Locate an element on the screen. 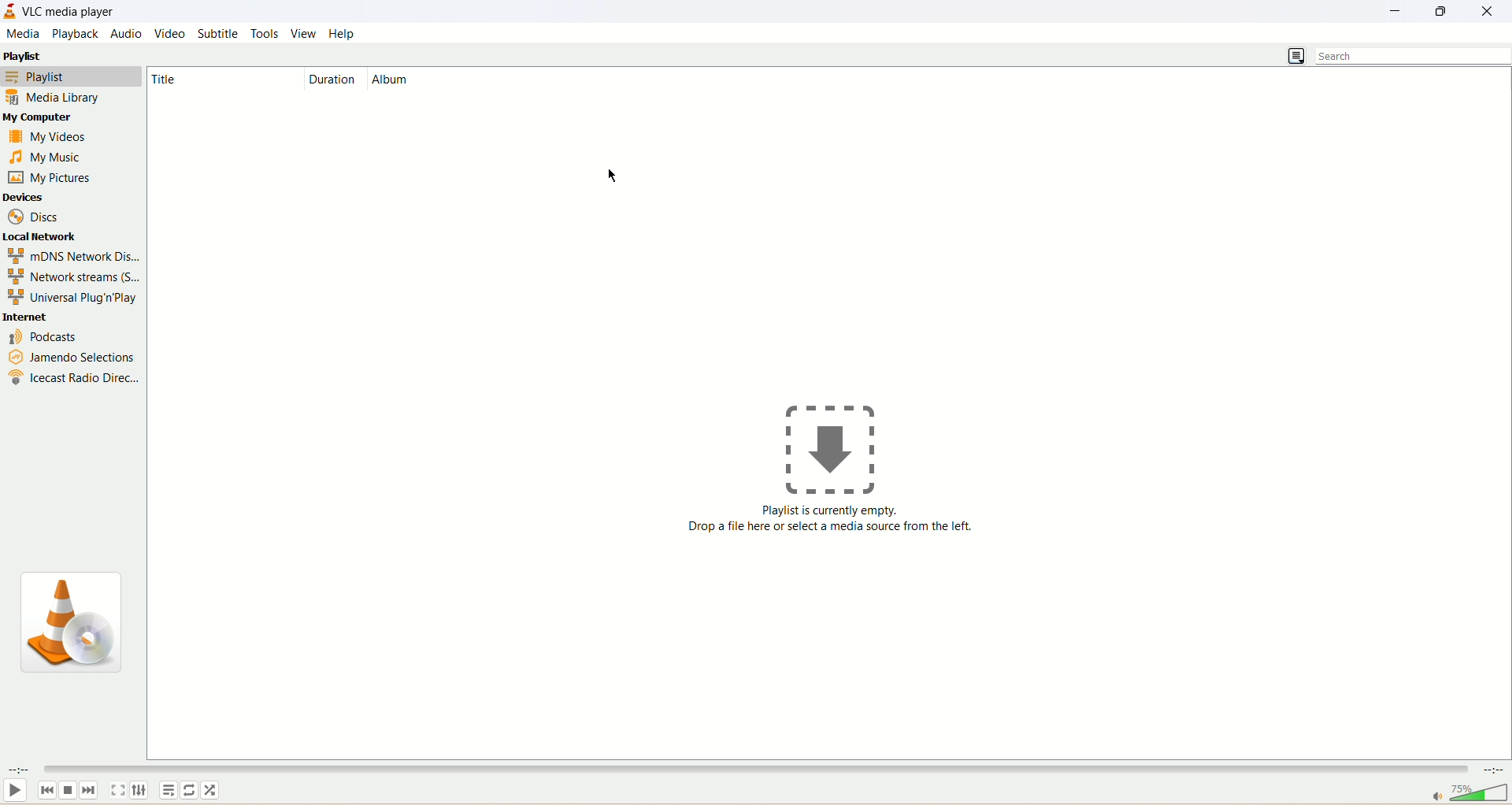  loop is located at coordinates (192, 790).